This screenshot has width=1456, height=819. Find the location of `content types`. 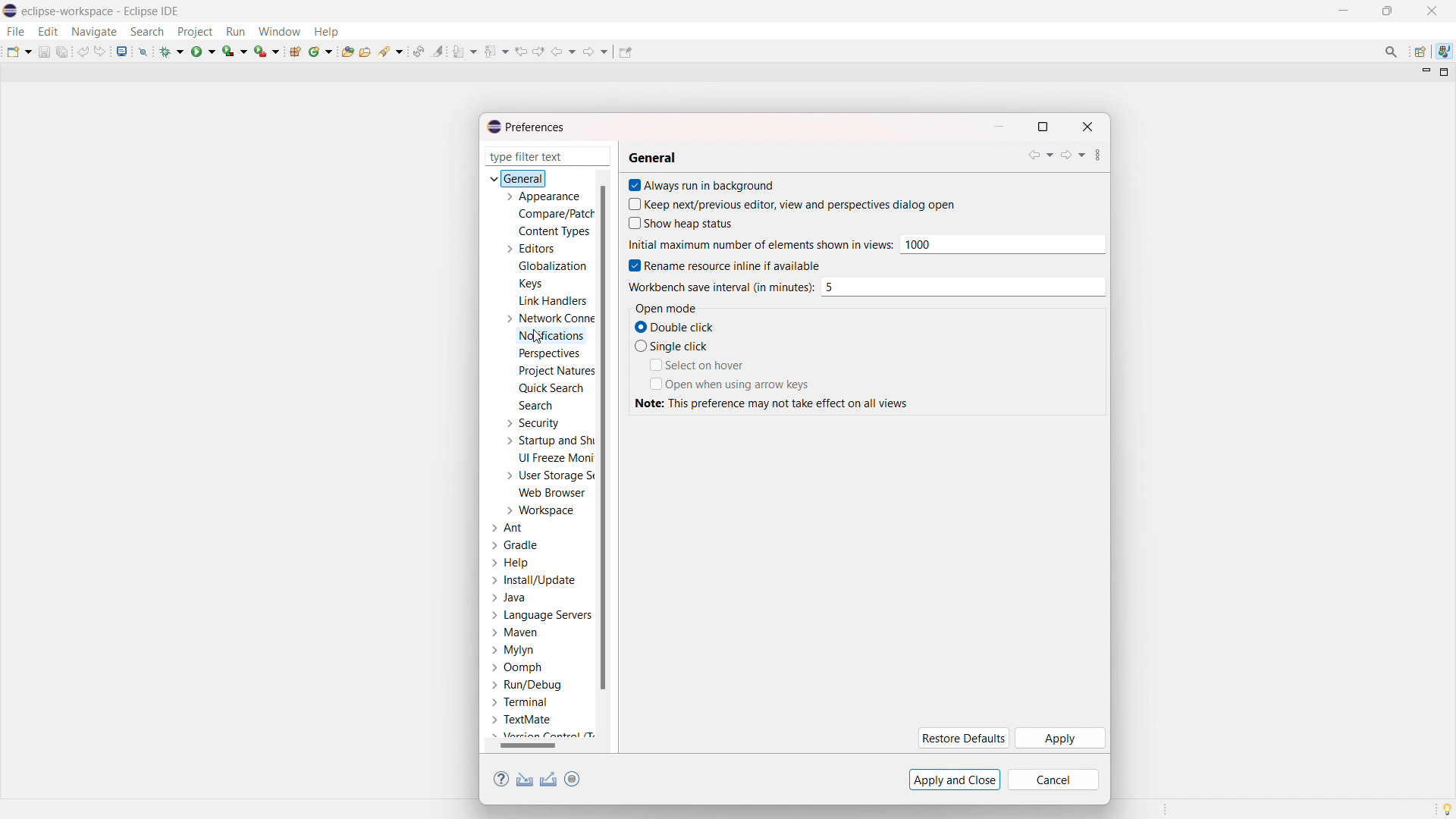

content types is located at coordinates (555, 231).